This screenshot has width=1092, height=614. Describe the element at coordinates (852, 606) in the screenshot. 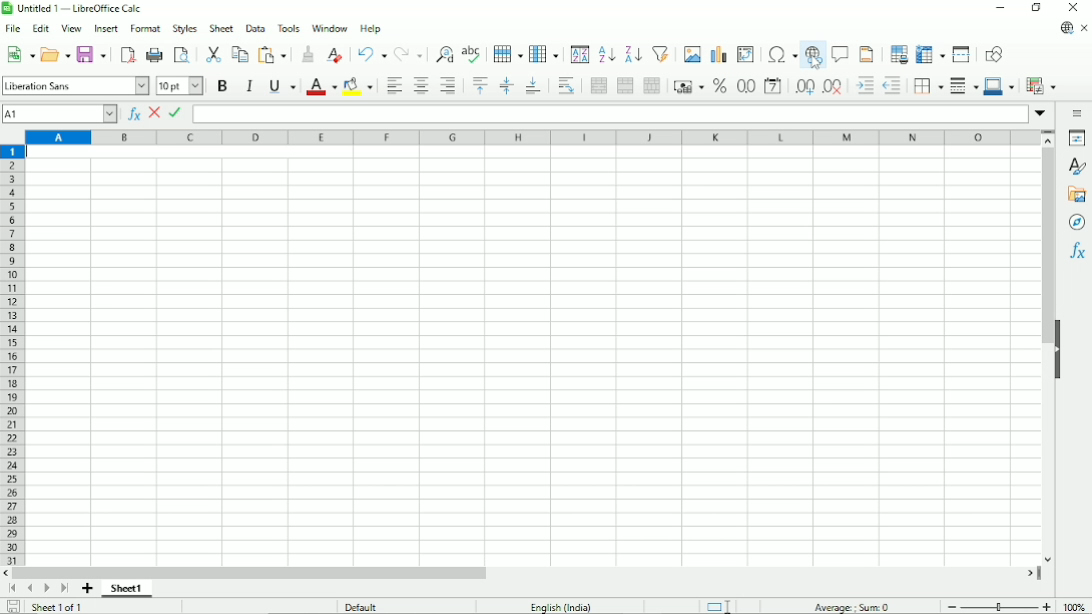

I see `Average, sum 0` at that location.